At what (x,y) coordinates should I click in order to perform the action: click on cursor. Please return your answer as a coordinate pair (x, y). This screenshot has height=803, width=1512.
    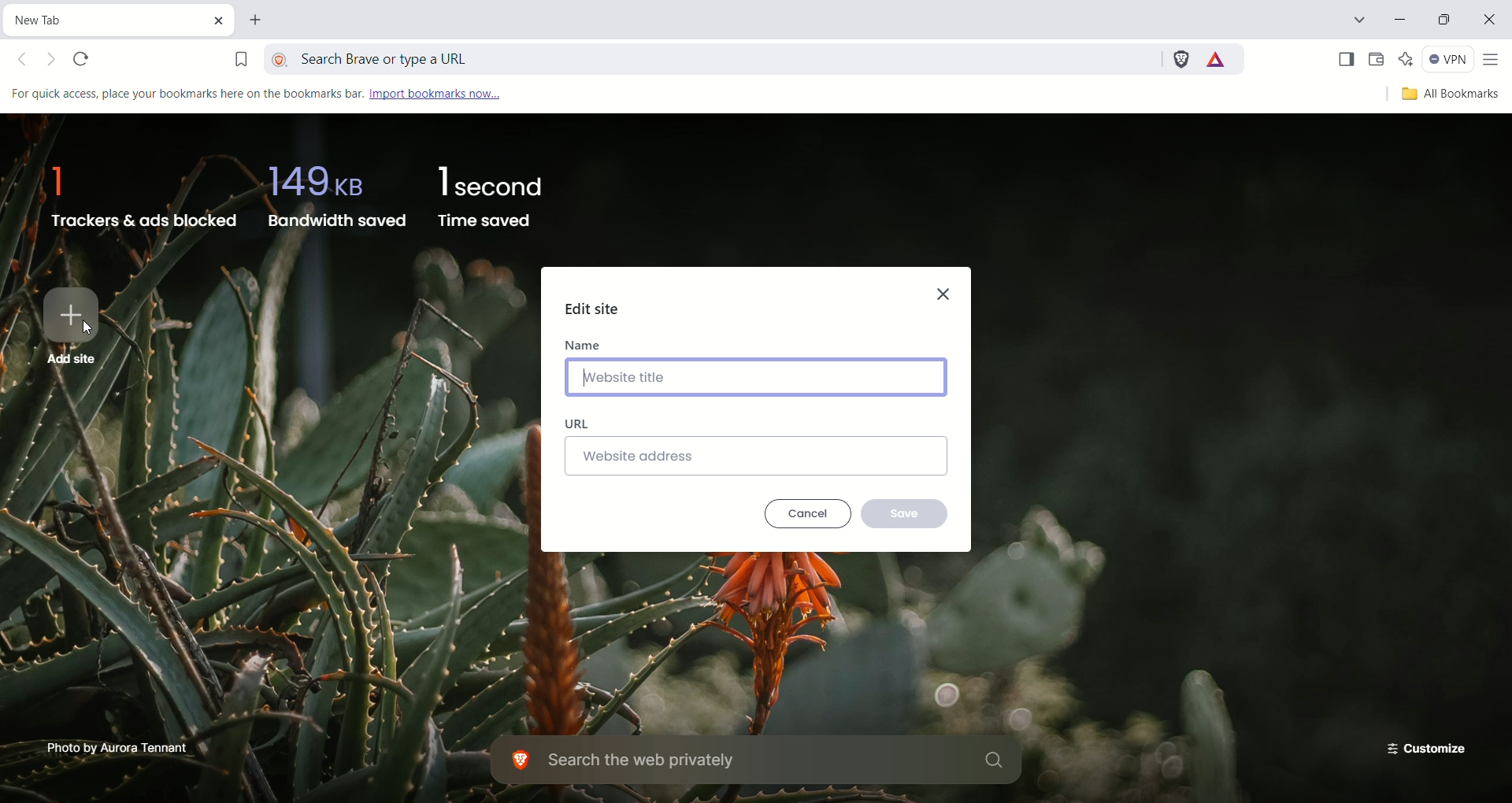
    Looking at the image, I should click on (87, 329).